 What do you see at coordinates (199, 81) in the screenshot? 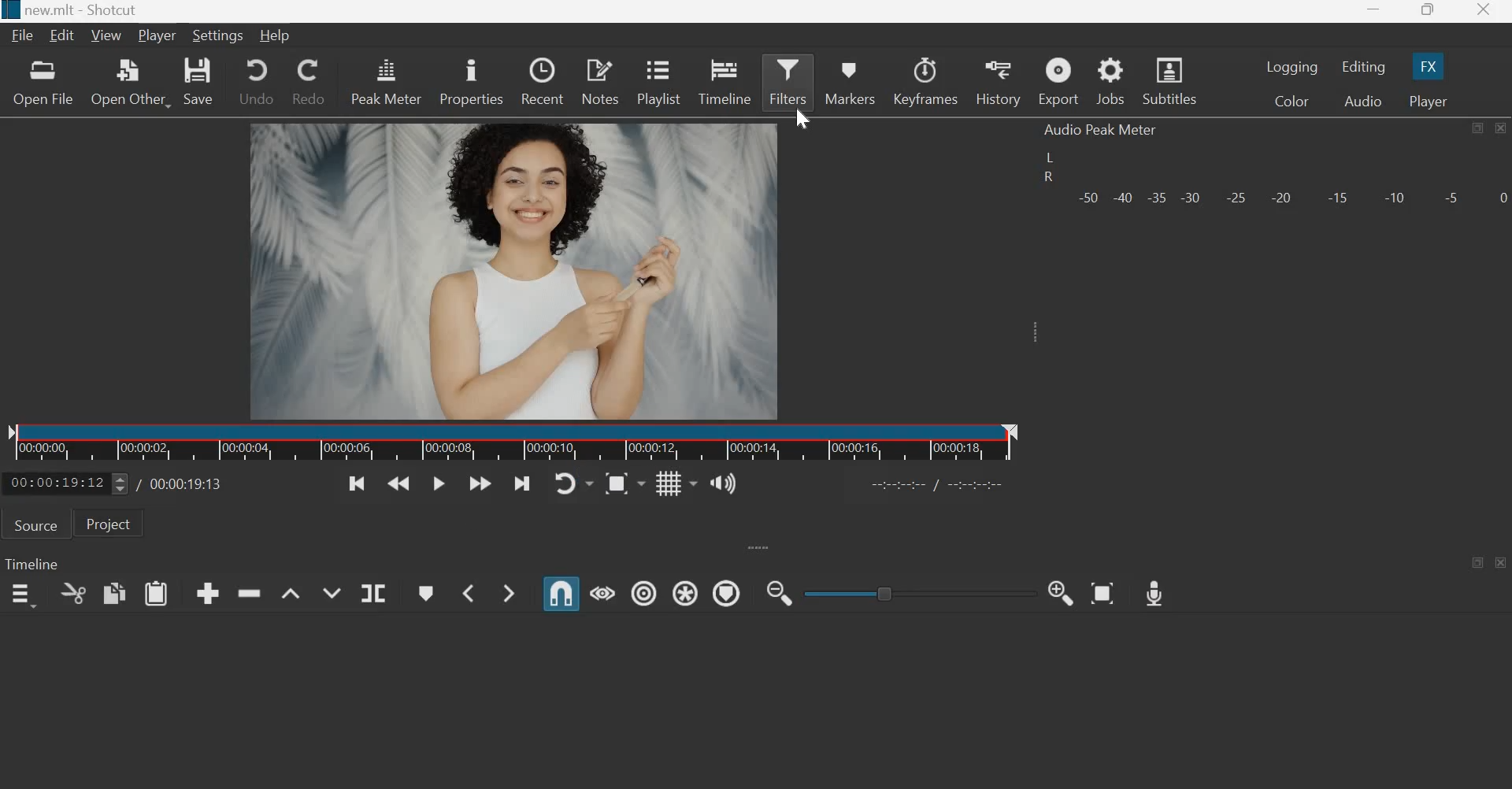
I see `save` at bounding box center [199, 81].